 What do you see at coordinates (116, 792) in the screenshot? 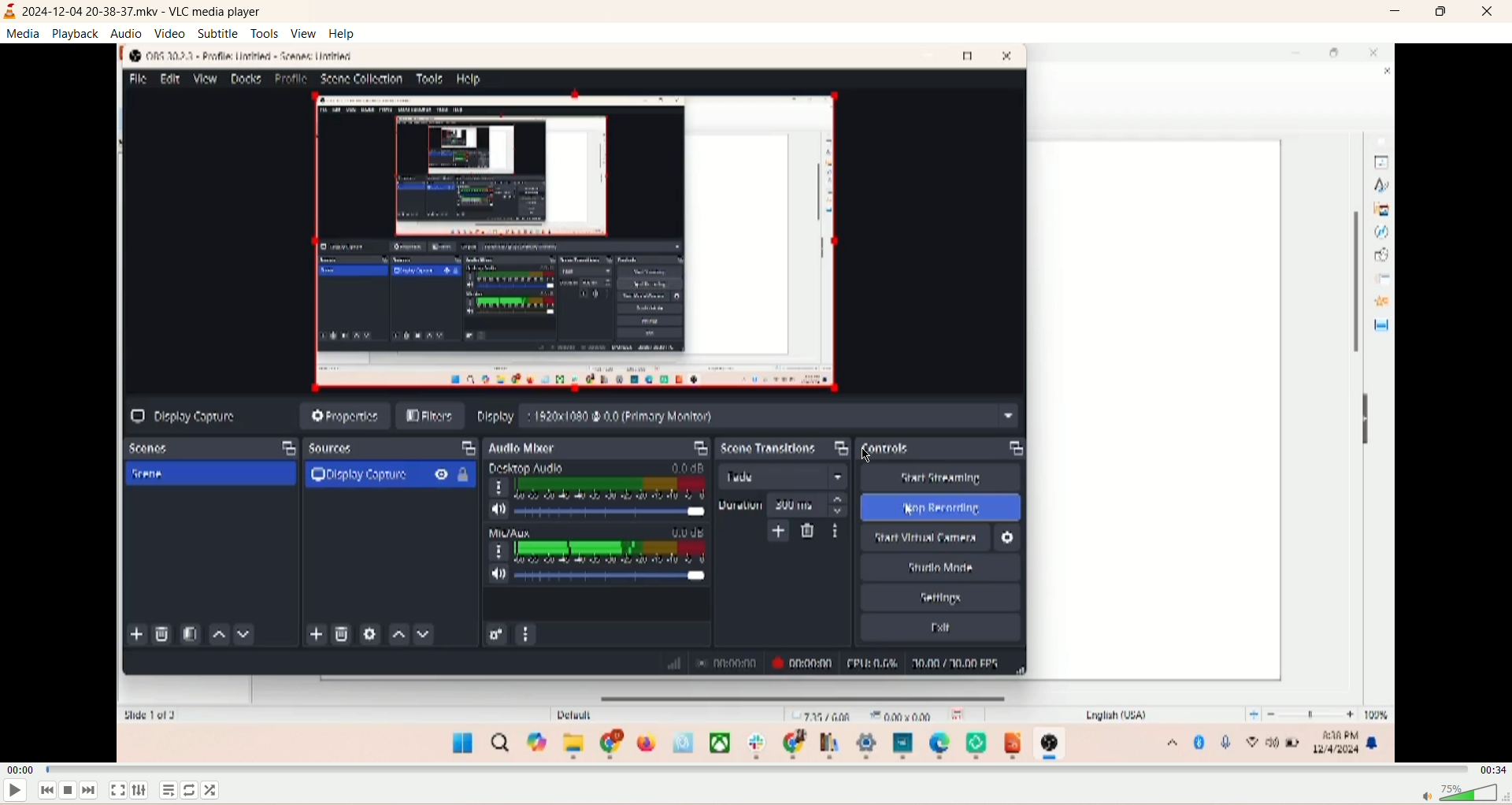
I see `full screen` at bounding box center [116, 792].